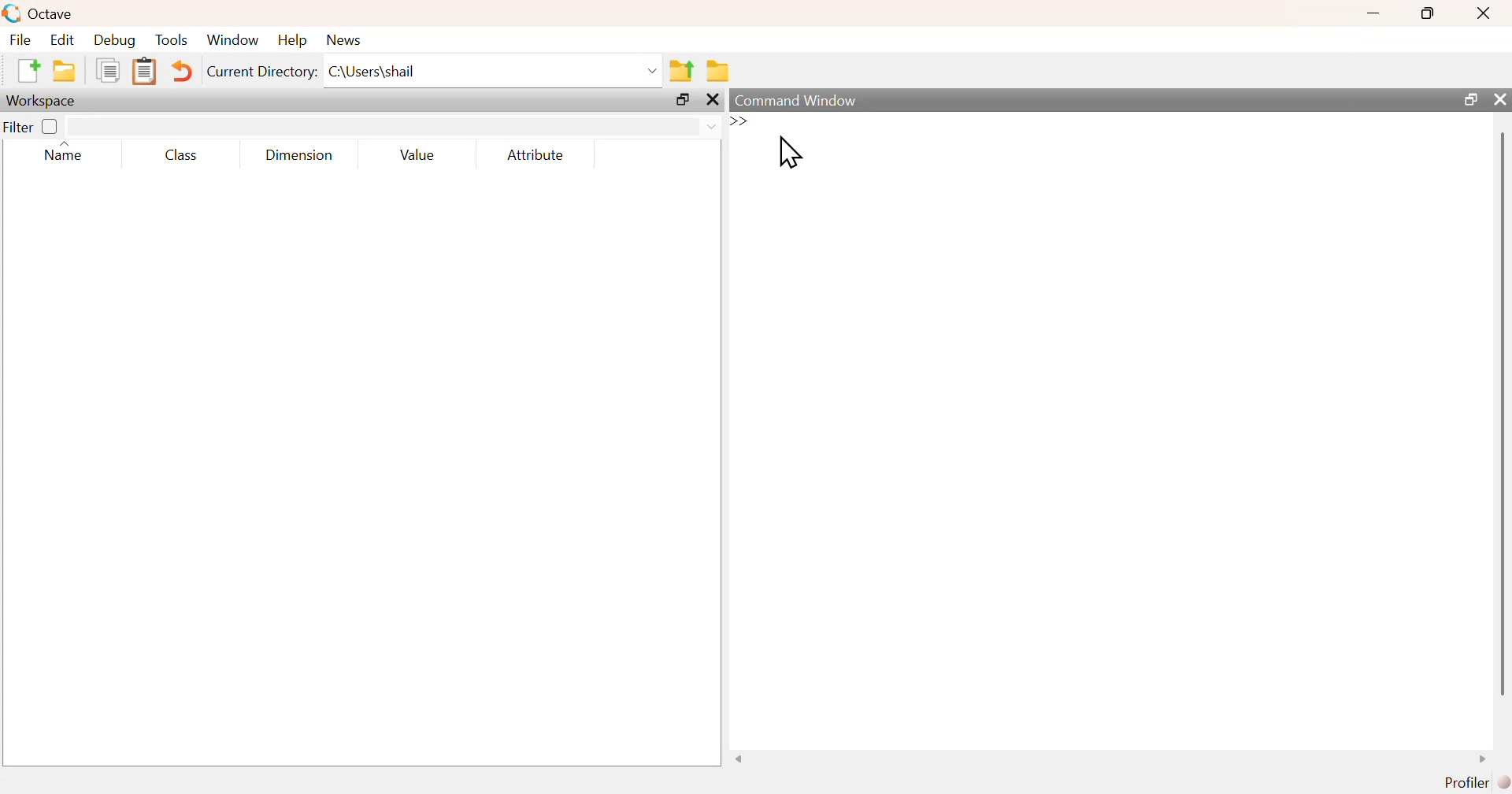  What do you see at coordinates (683, 99) in the screenshot?
I see `maximize` at bounding box center [683, 99].